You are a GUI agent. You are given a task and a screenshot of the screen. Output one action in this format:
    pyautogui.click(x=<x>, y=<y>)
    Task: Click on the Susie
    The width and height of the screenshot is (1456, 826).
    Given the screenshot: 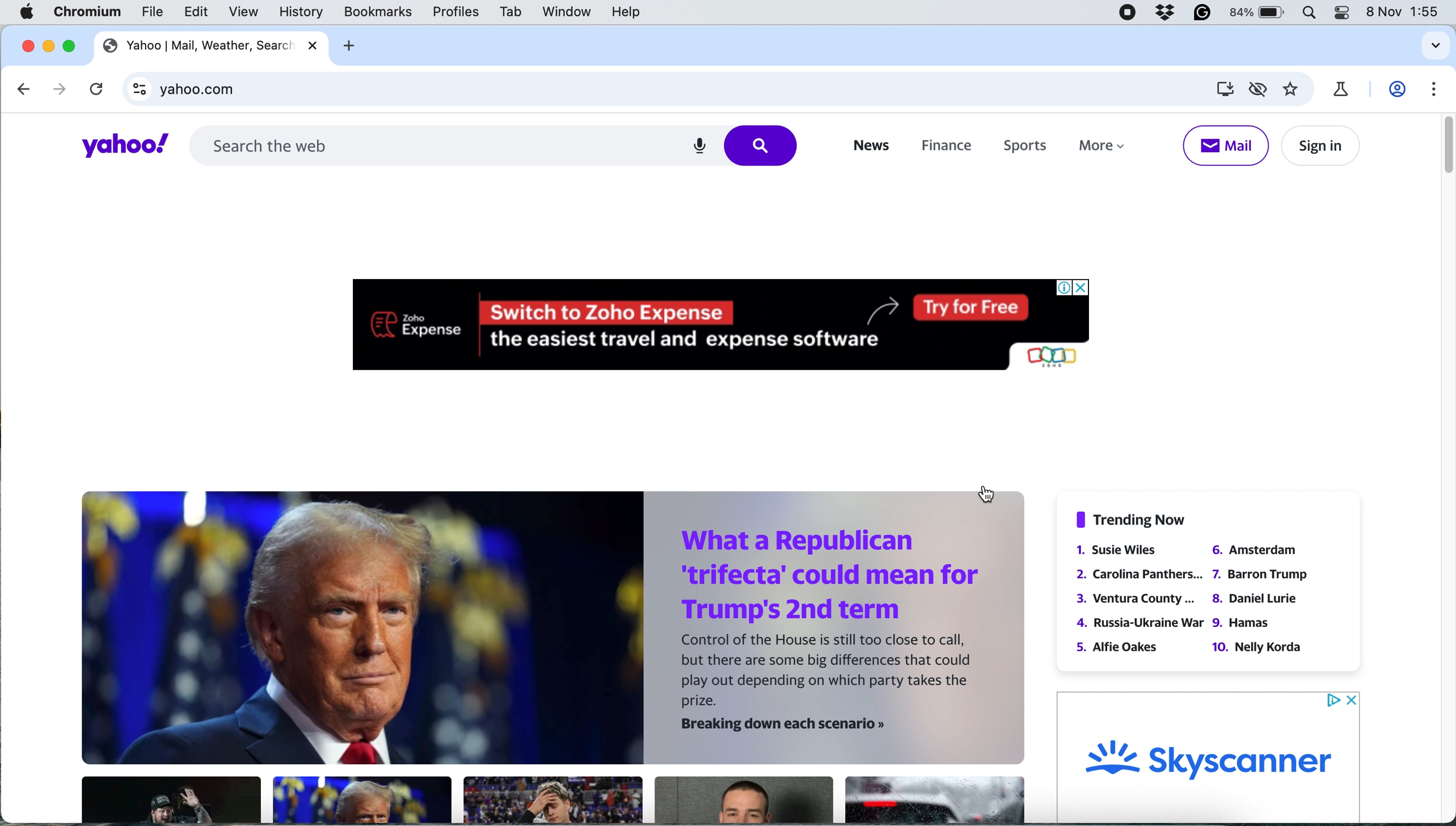 What is the action you would take?
    pyautogui.click(x=1125, y=550)
    